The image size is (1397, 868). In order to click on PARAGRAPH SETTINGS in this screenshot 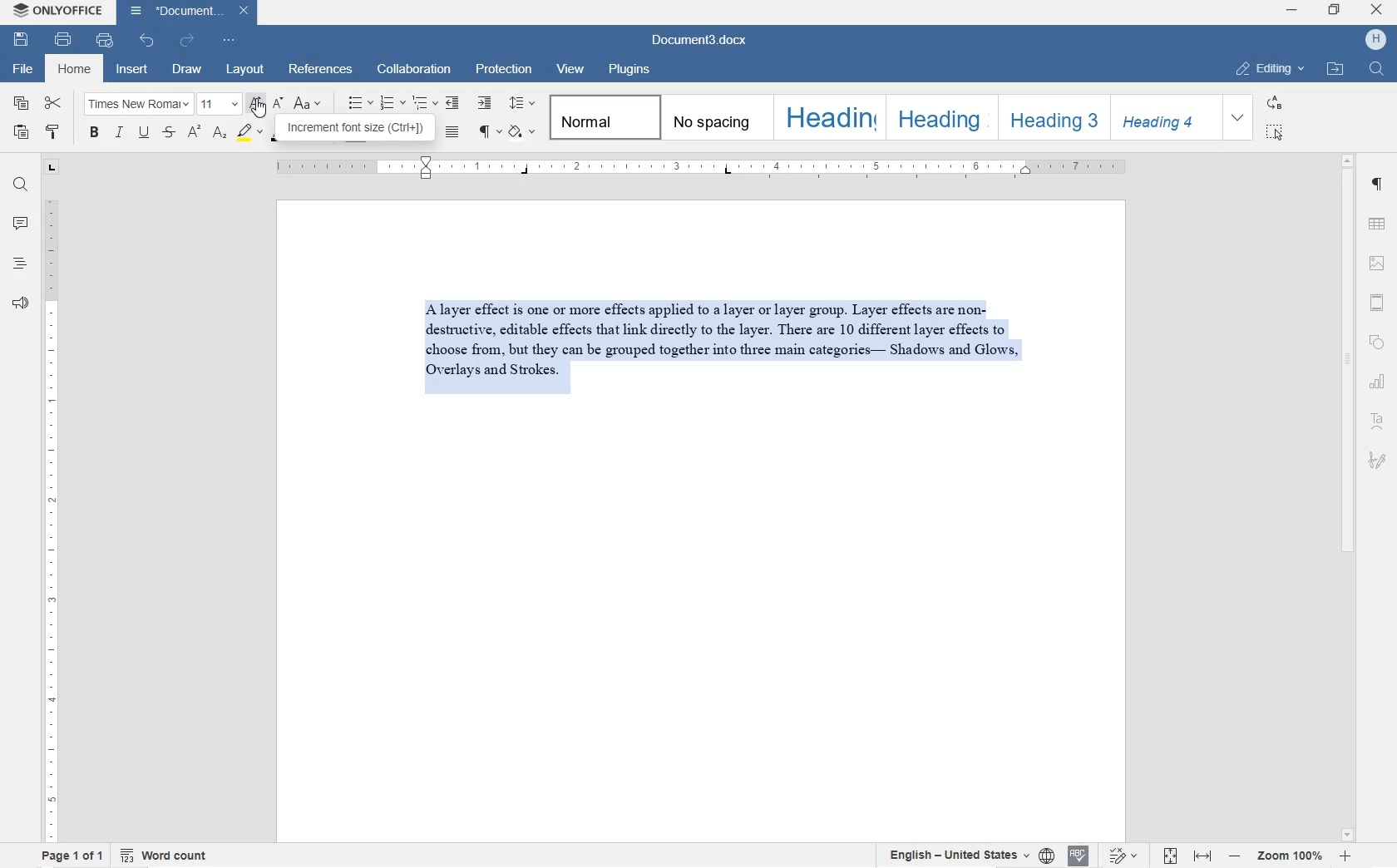, I will do `click(1378, 184)`.